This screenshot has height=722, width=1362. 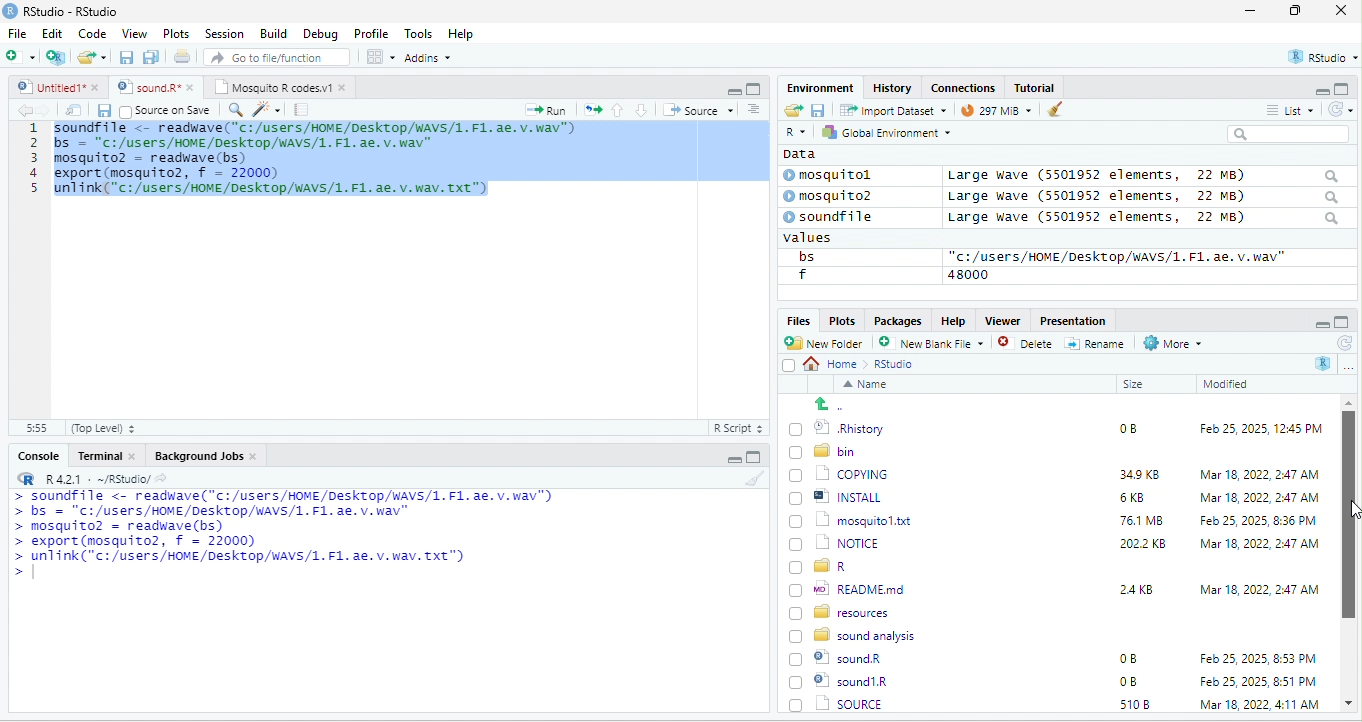 I want to click on scroll bar, so click(x=1349, y=554).